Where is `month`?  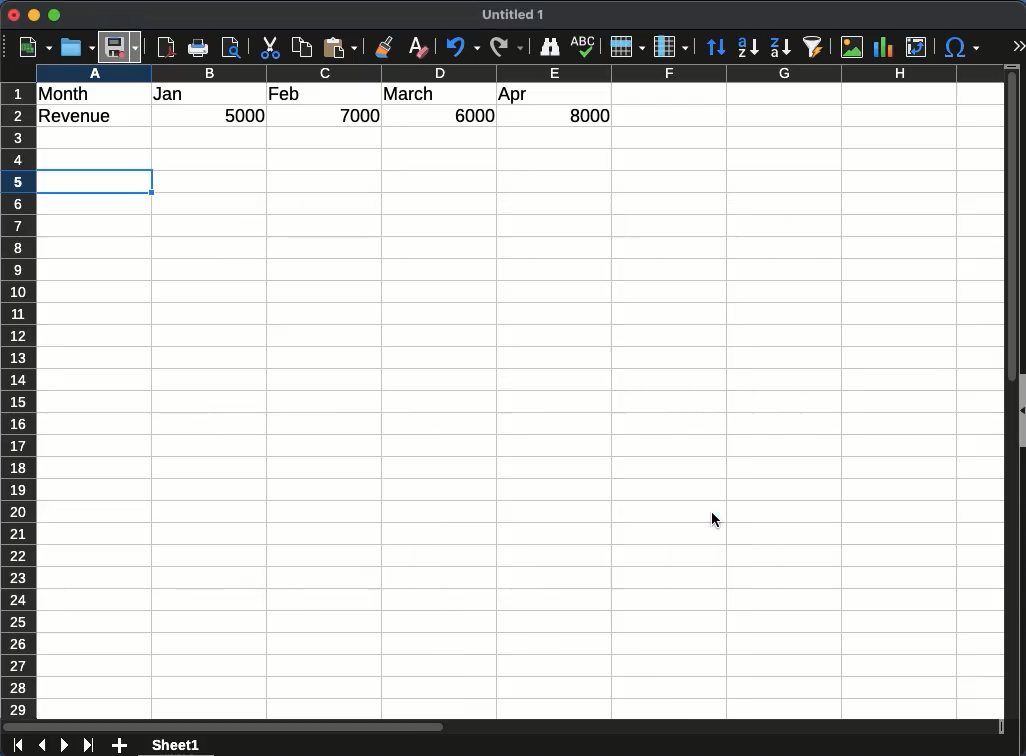
month is located at coordinates (68, 93).